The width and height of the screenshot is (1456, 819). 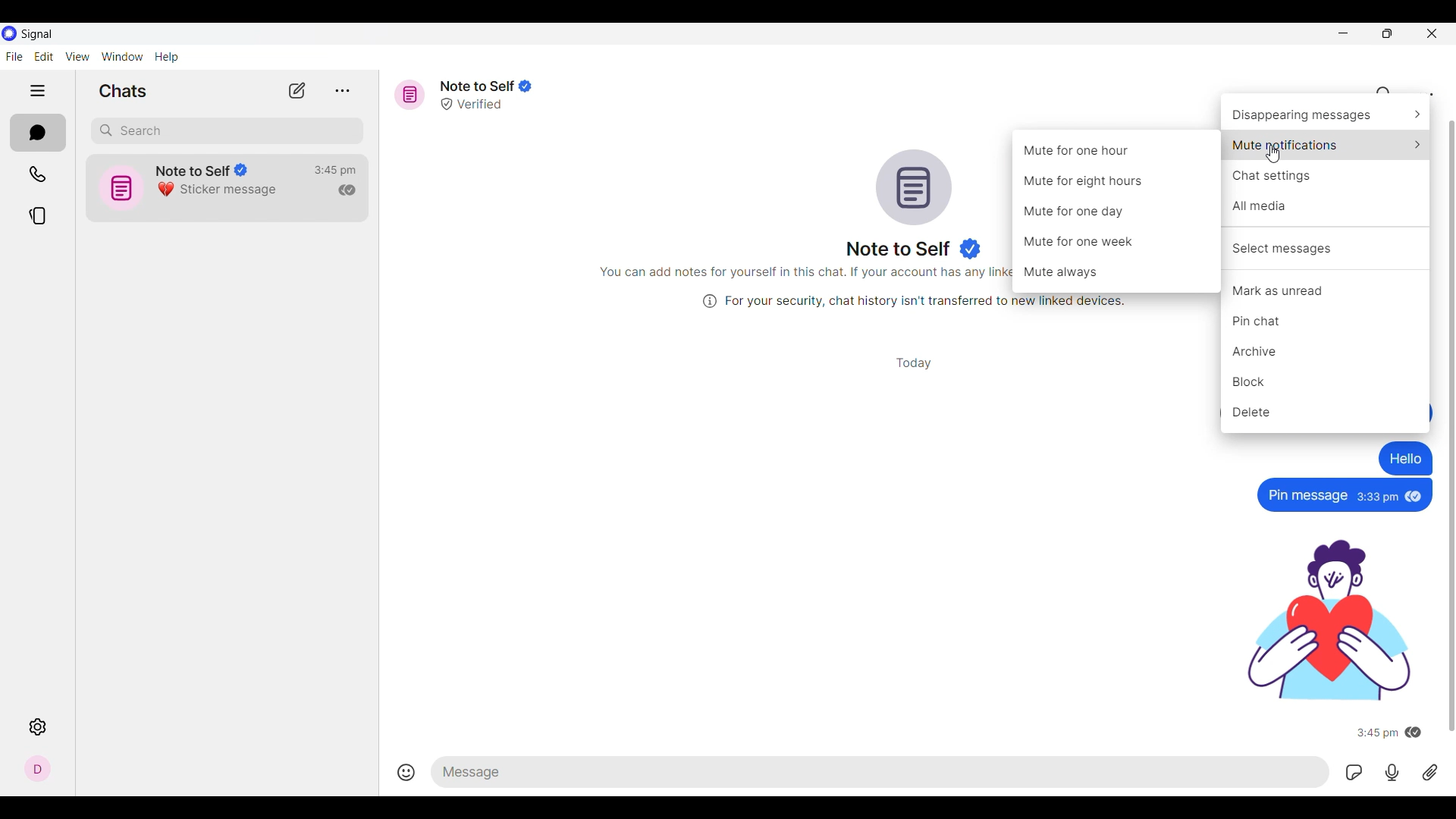 I want to click on File menu, so click(x=14, y=56).